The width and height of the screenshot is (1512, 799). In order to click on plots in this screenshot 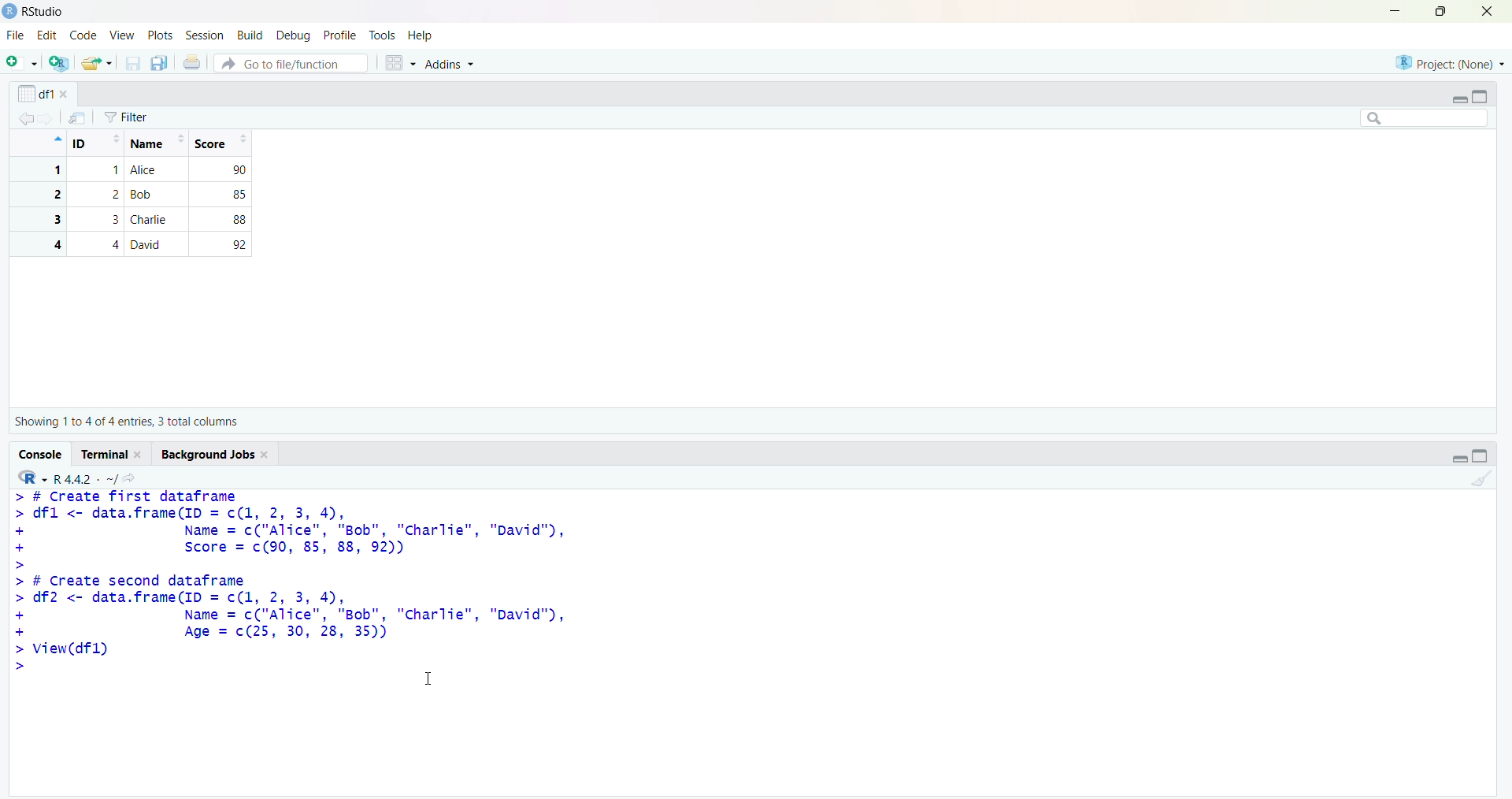, I will do `click(162, 36)`.